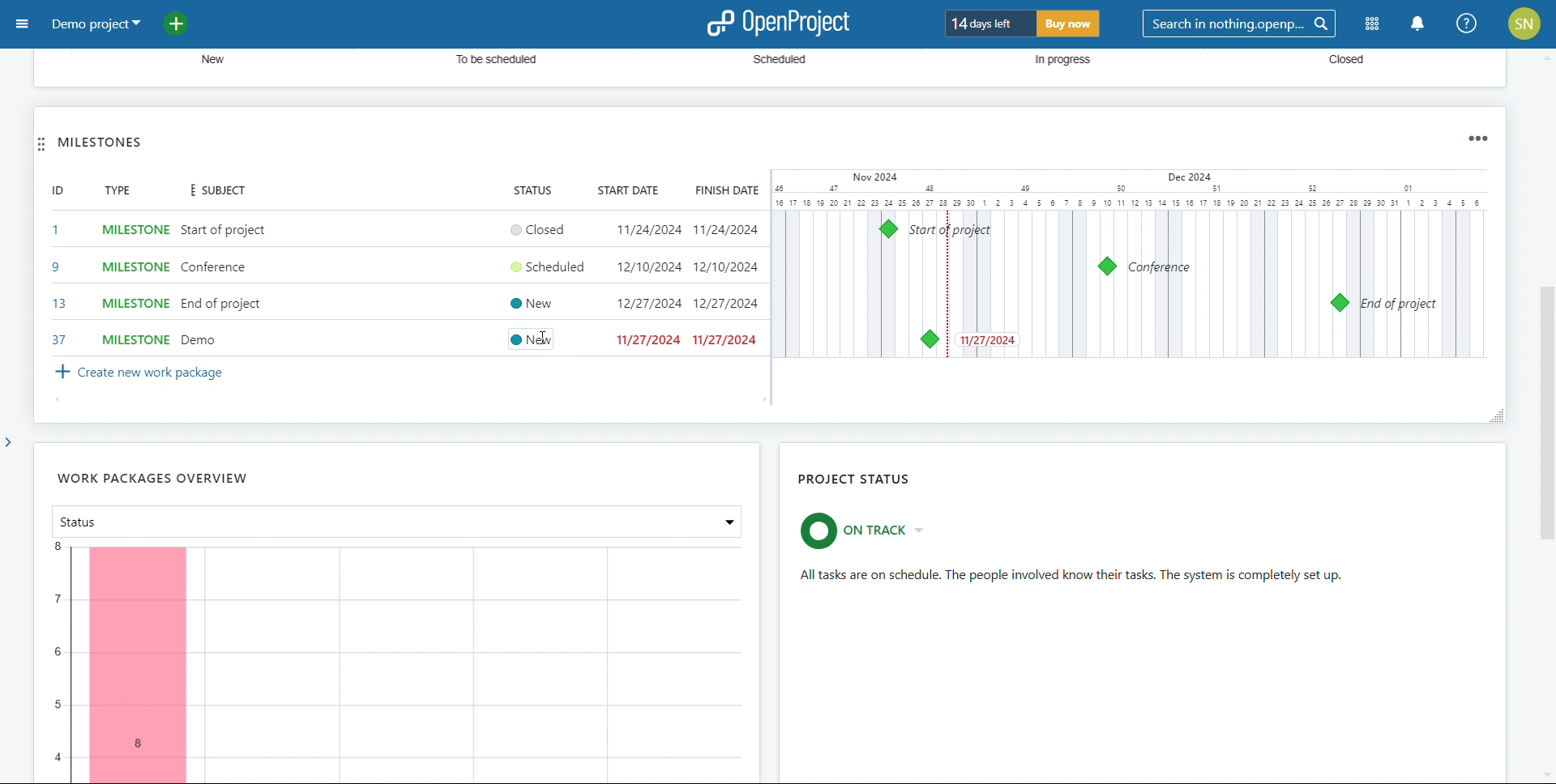 The width and height of the screenshot is (1556, 784). What do you see at coordinates (1476, 140) in the screenshot?
I see `widget options` at bounding box center [1476, 140].